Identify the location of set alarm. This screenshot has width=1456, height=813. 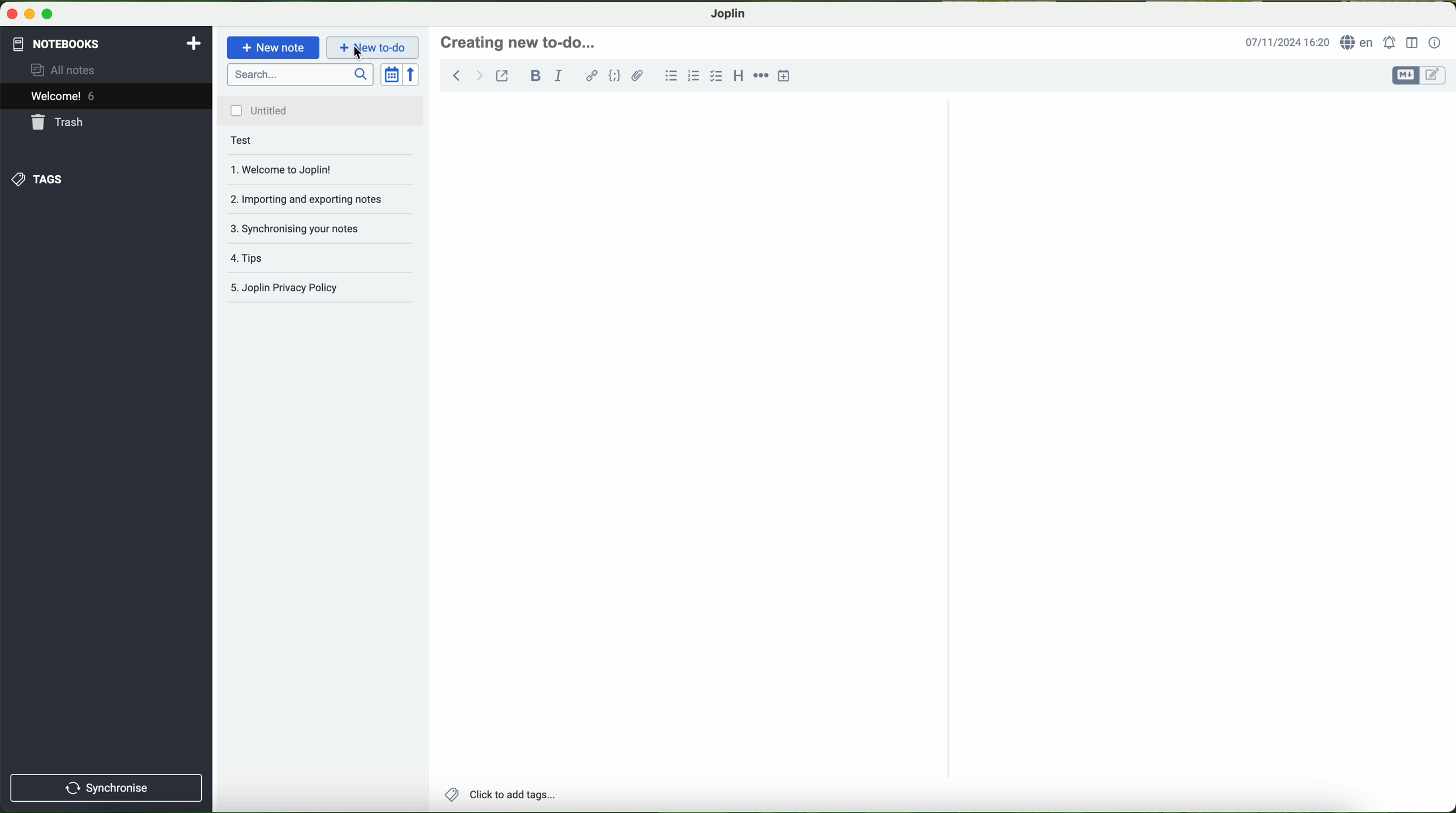
(1389, 42).